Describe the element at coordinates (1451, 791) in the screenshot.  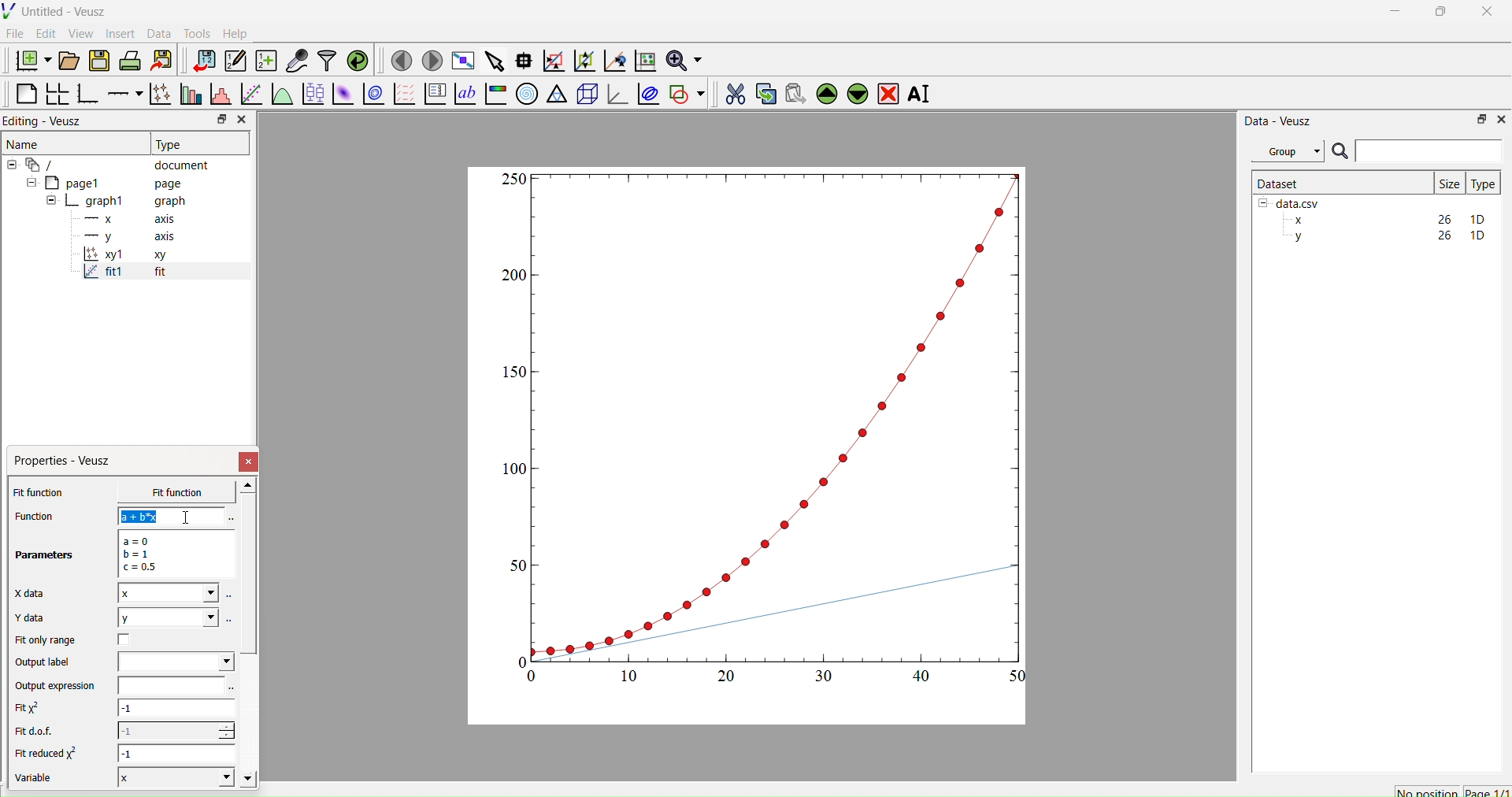
I see `No position Page 1/1` at that location.